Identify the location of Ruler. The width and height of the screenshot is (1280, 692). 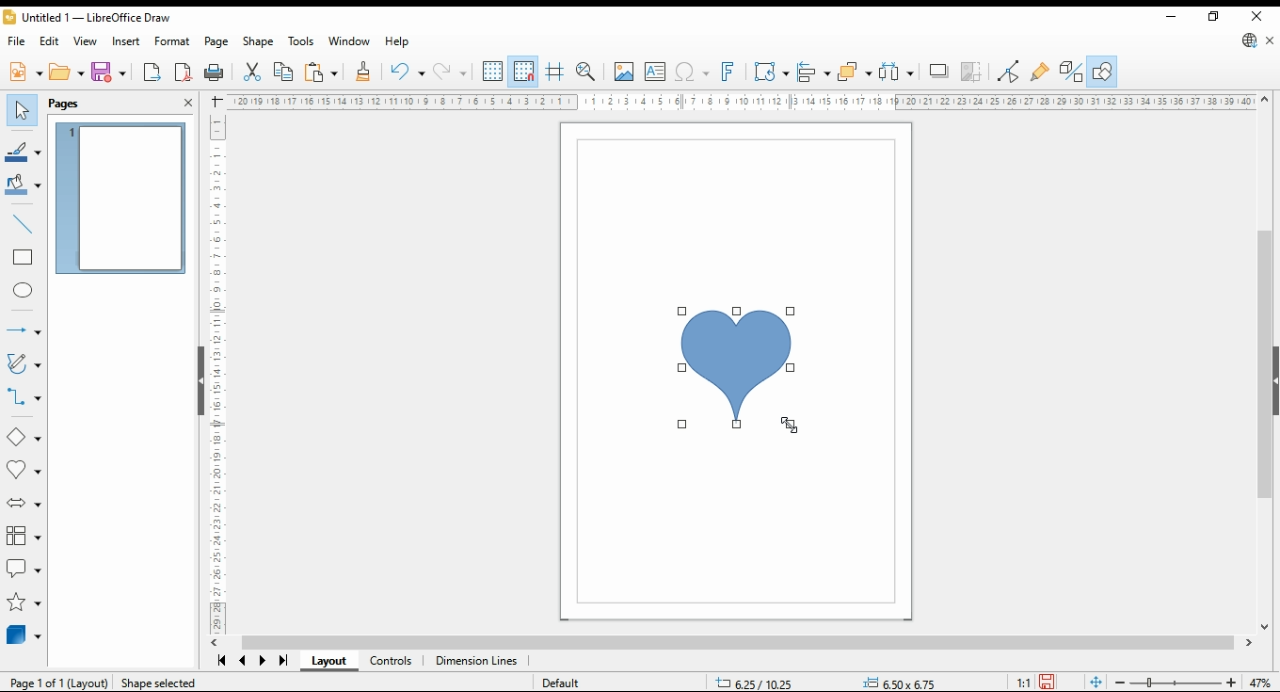
(743, 102).